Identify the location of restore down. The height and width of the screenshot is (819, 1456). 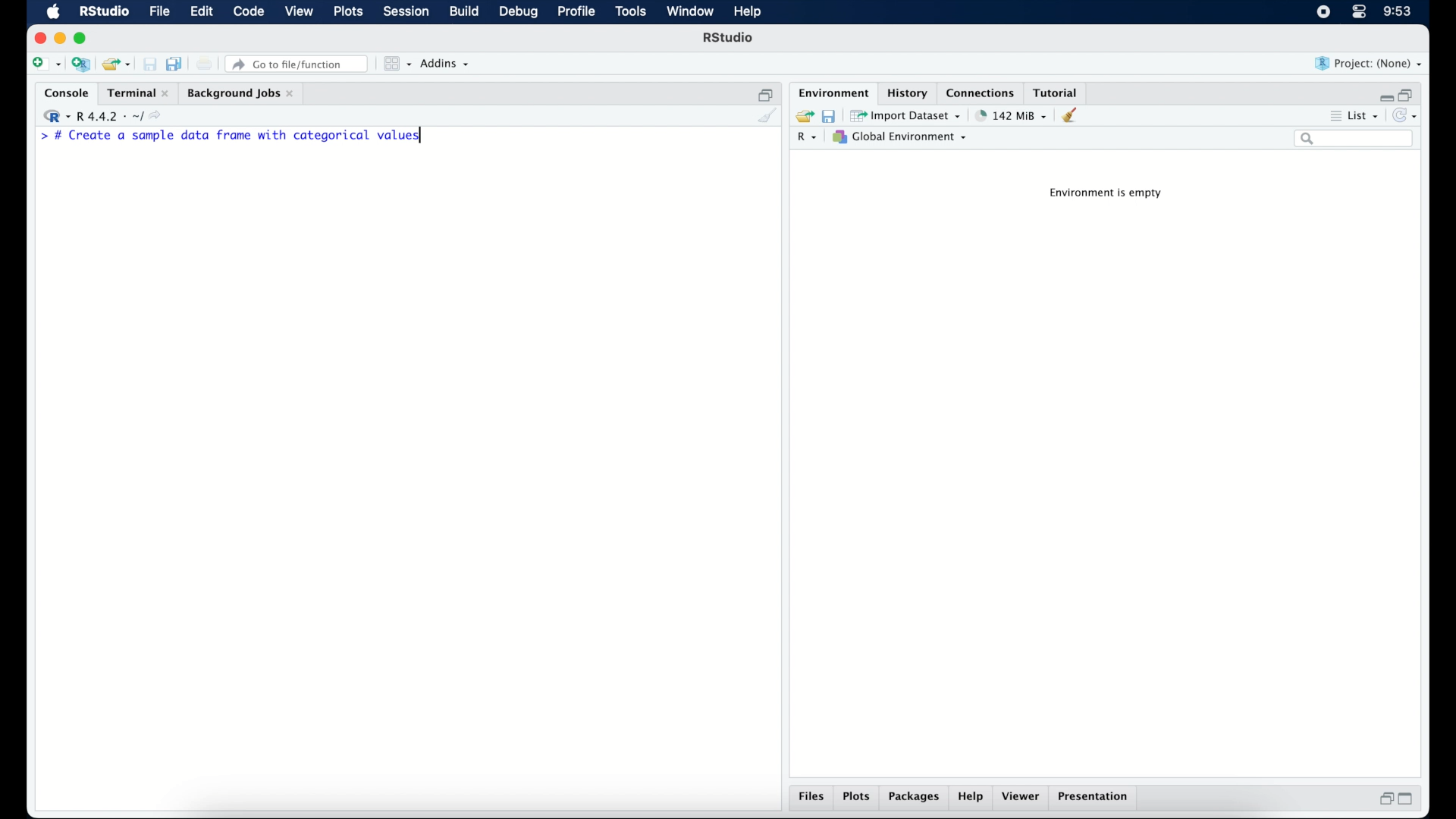
(765, 92).